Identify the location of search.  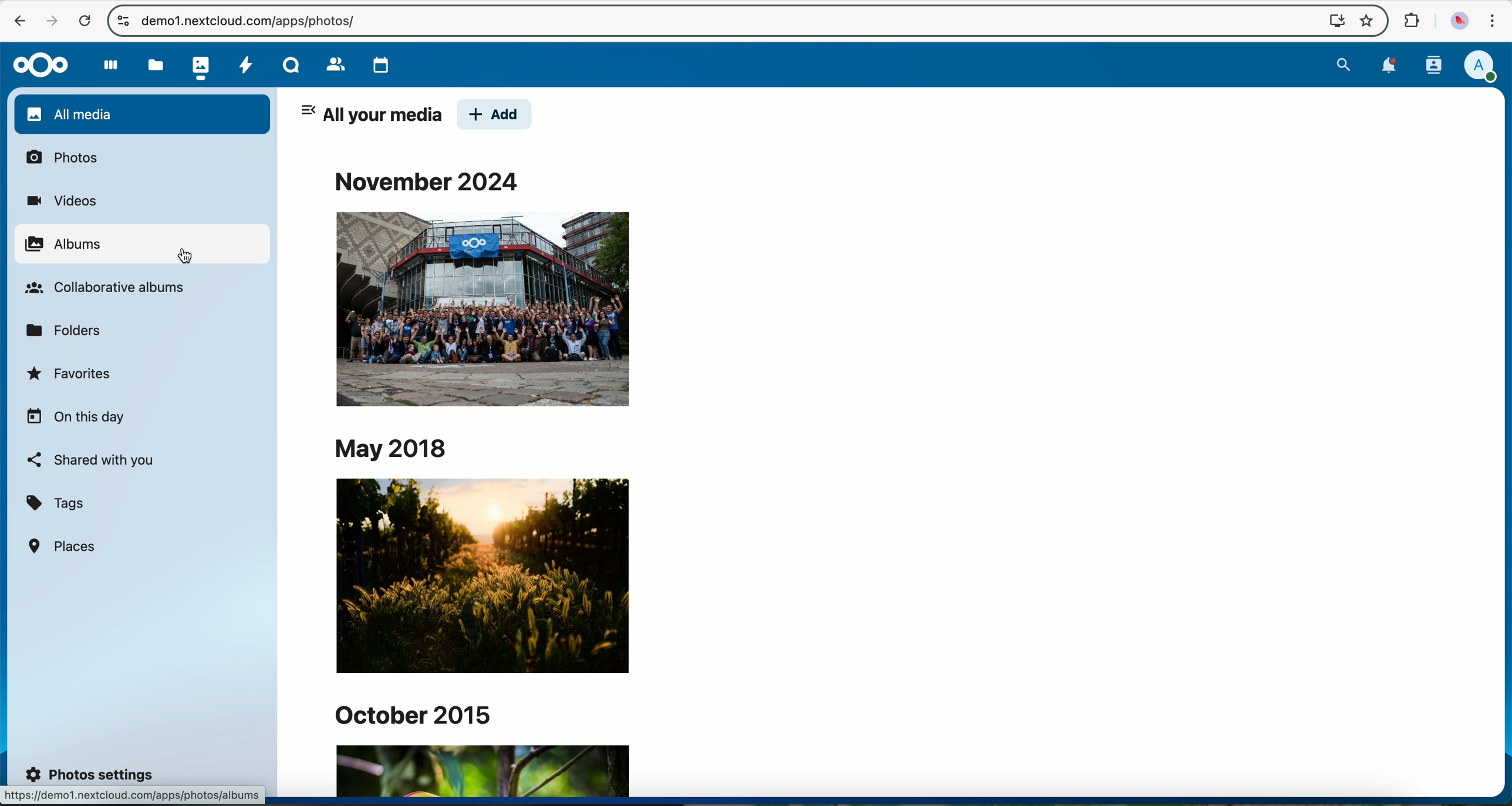
(1343, 63).